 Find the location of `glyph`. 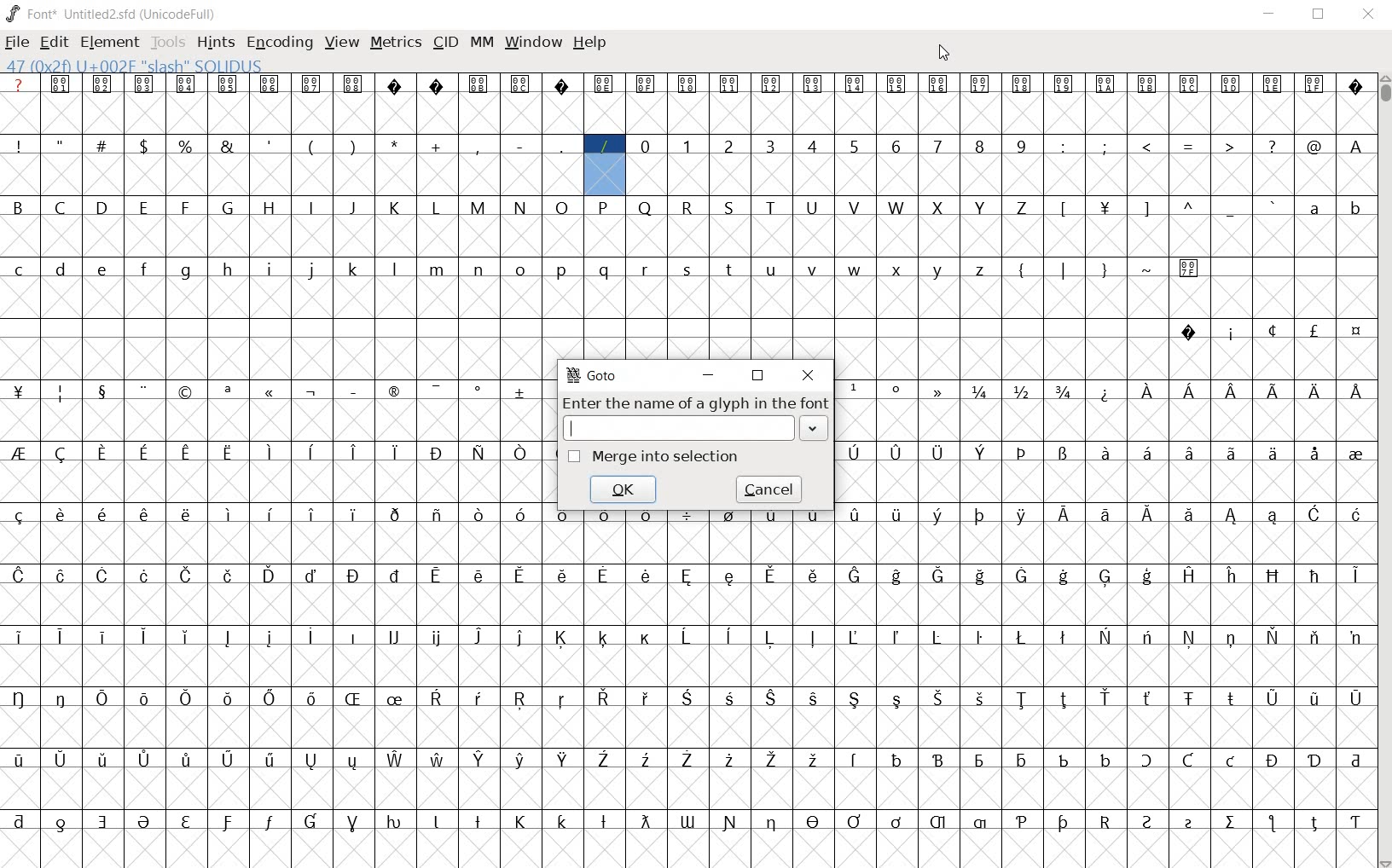

glyph is located at coordinates (561, 271).